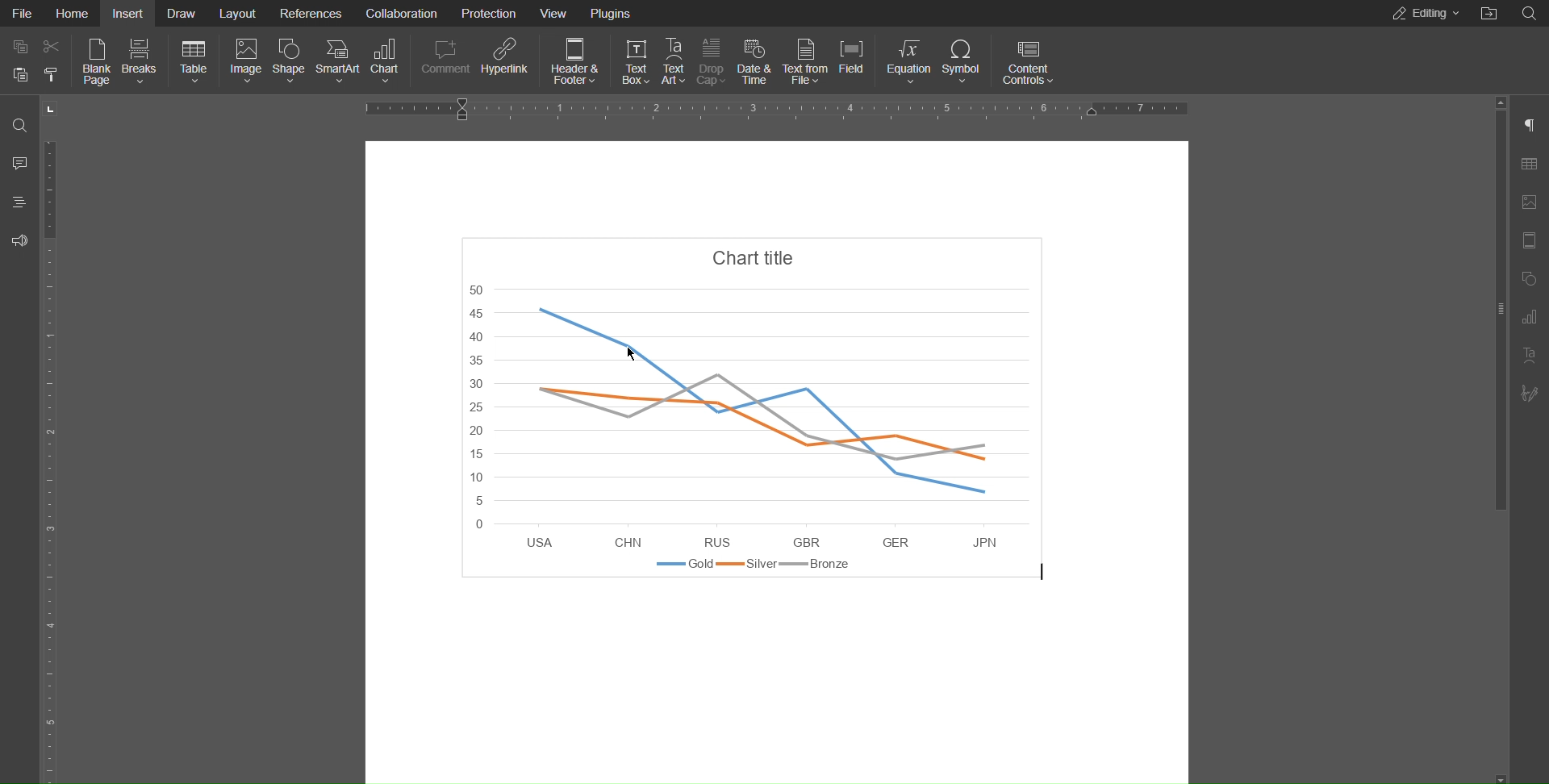 The height and width of the screenshot is (784, 1549). Describe the element at coordinates (387, 63) in the screenshot. I see `Chart` at that location.